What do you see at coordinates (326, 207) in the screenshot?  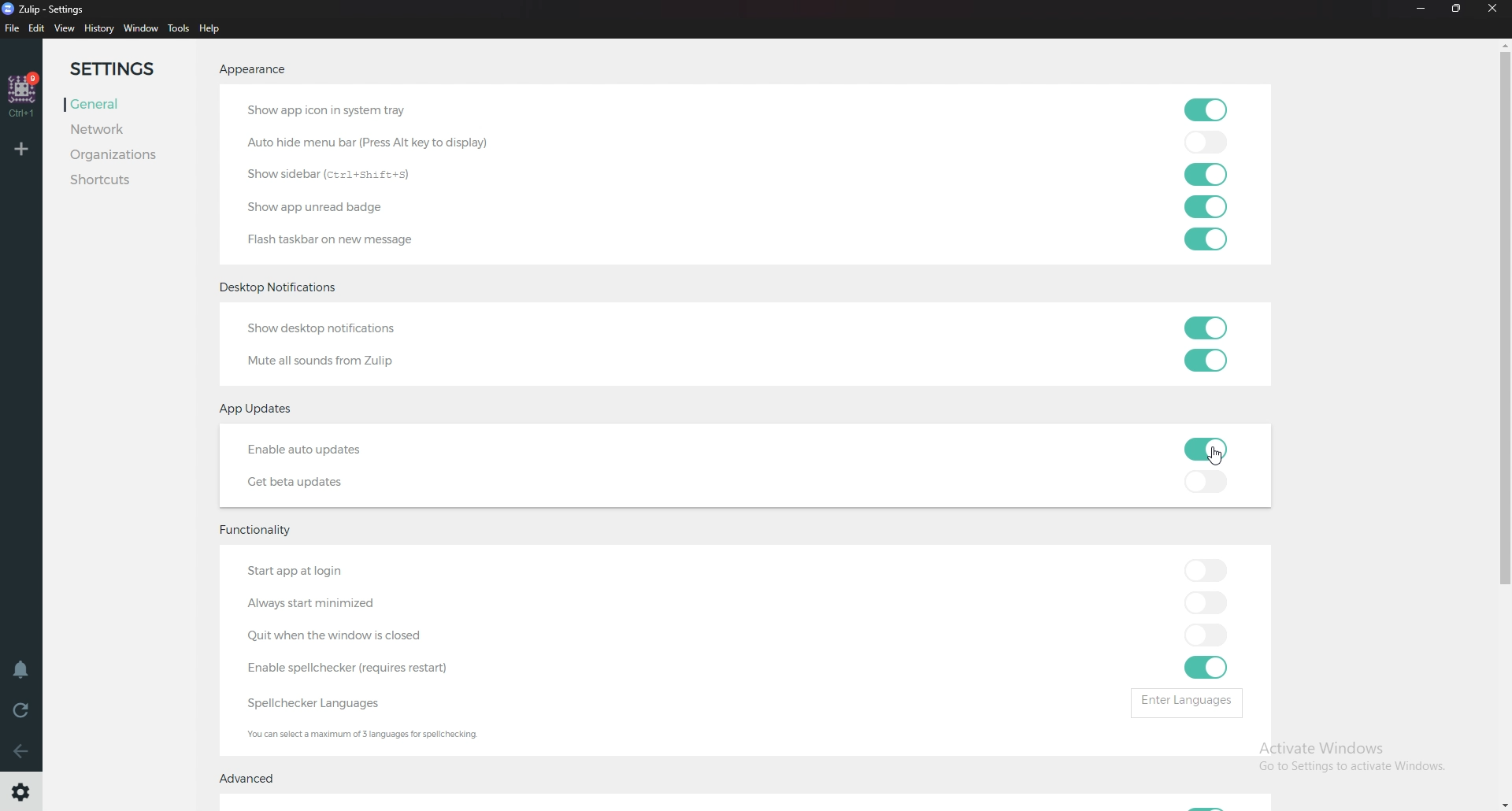 I see `show app unread badge` at bounding box center [326, 207].